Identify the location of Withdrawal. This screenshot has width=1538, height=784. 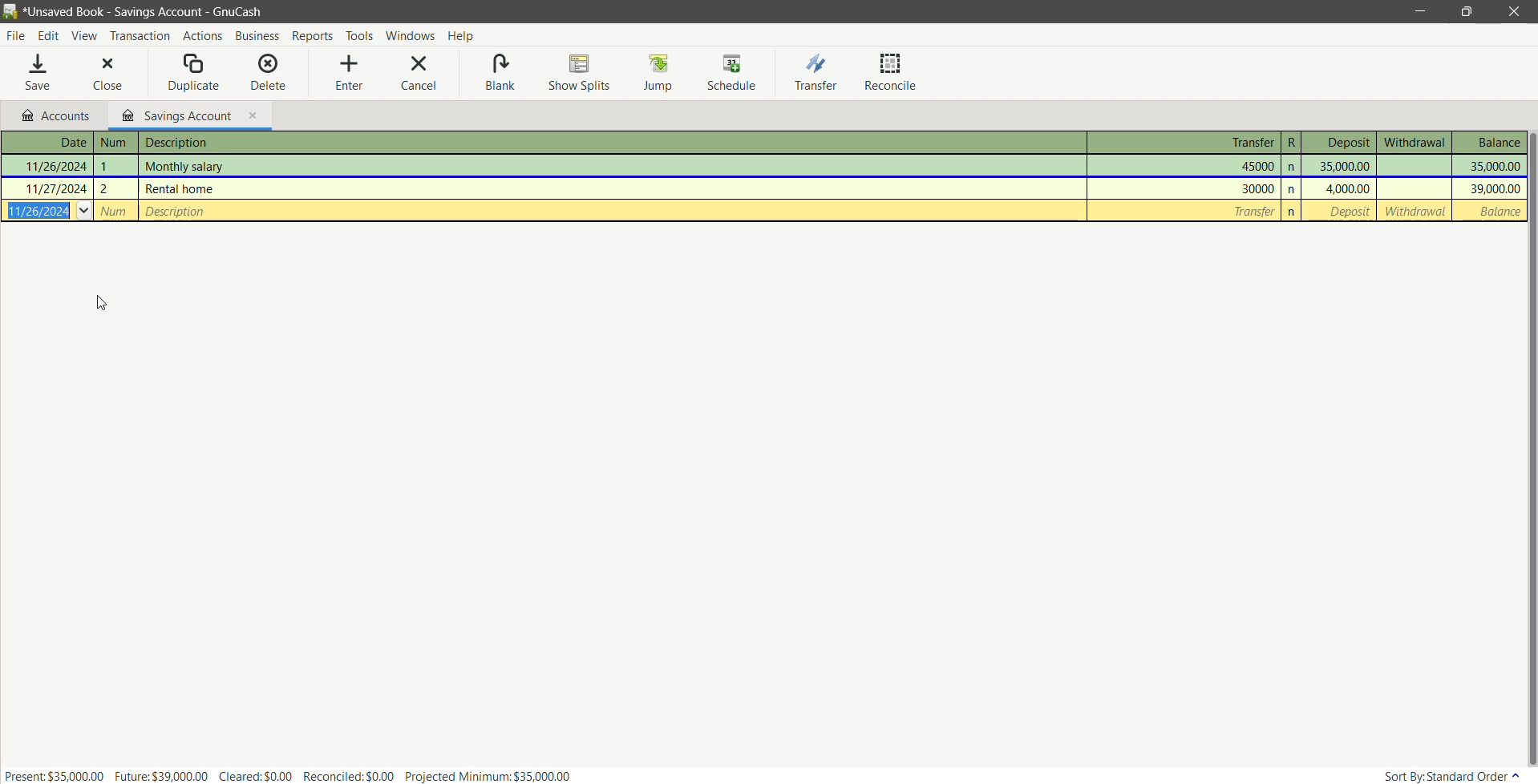
(1414, 142).